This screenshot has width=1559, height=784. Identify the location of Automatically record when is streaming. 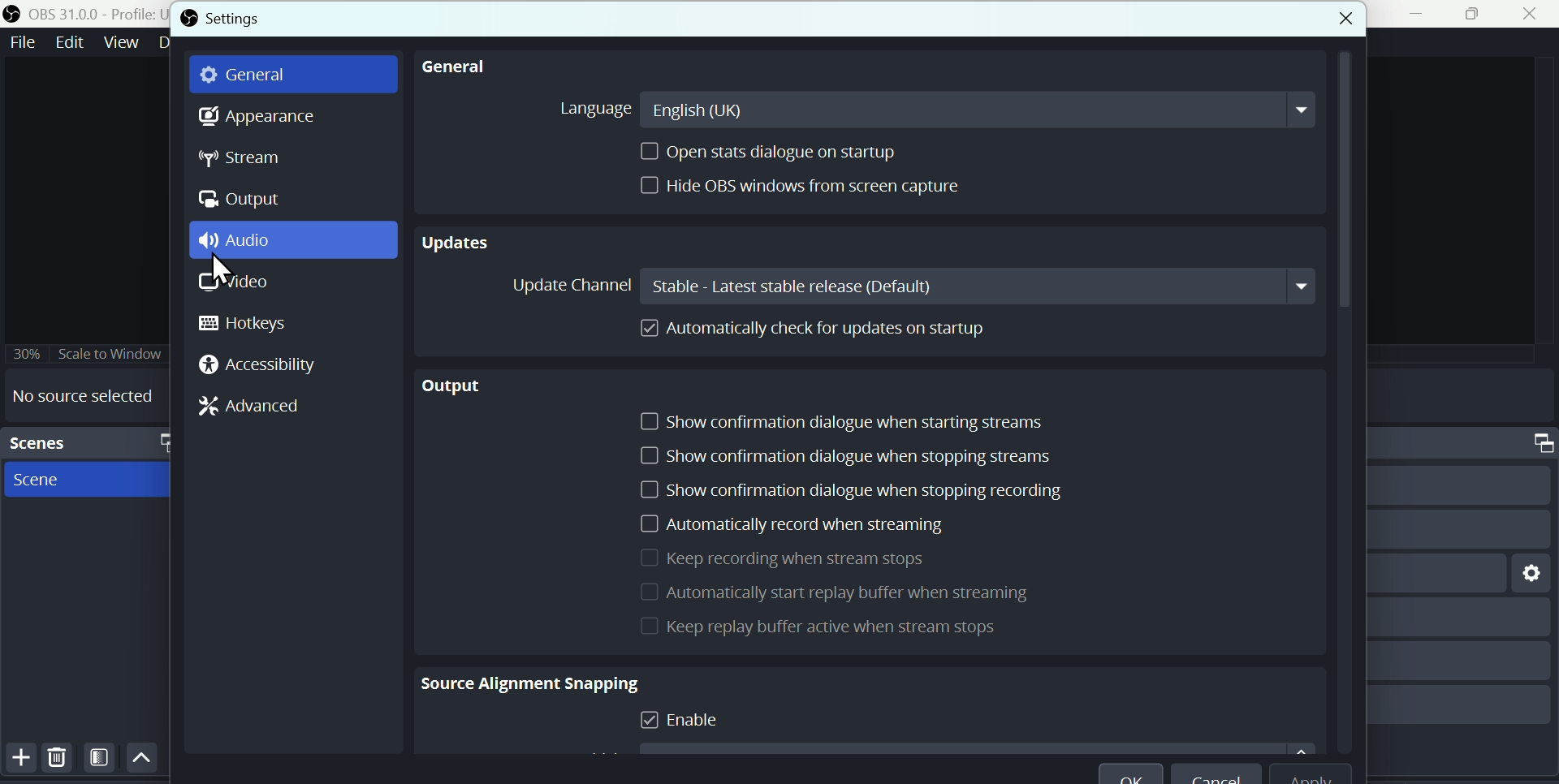
(800, 528).